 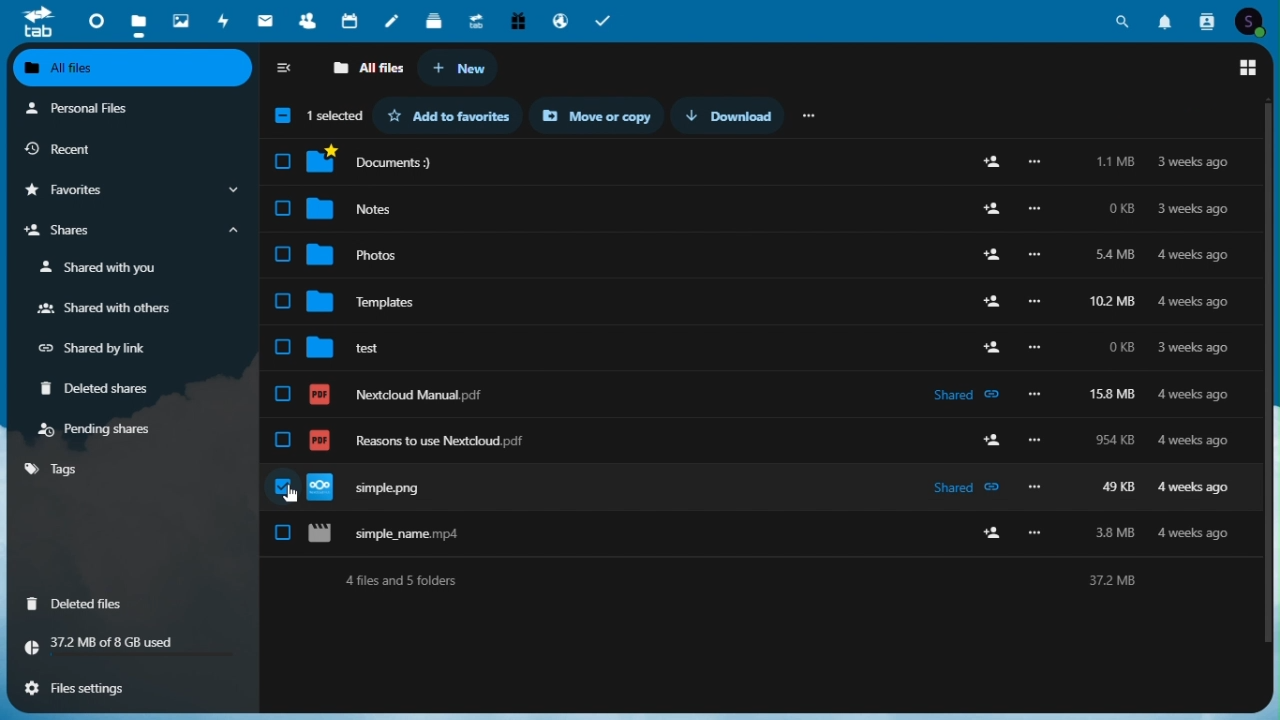 What do you see at coordinates (759, 483) in the screenshot?
I see `sample.png 49 KB 4 weeks ago` at bounding box center [759, 483].